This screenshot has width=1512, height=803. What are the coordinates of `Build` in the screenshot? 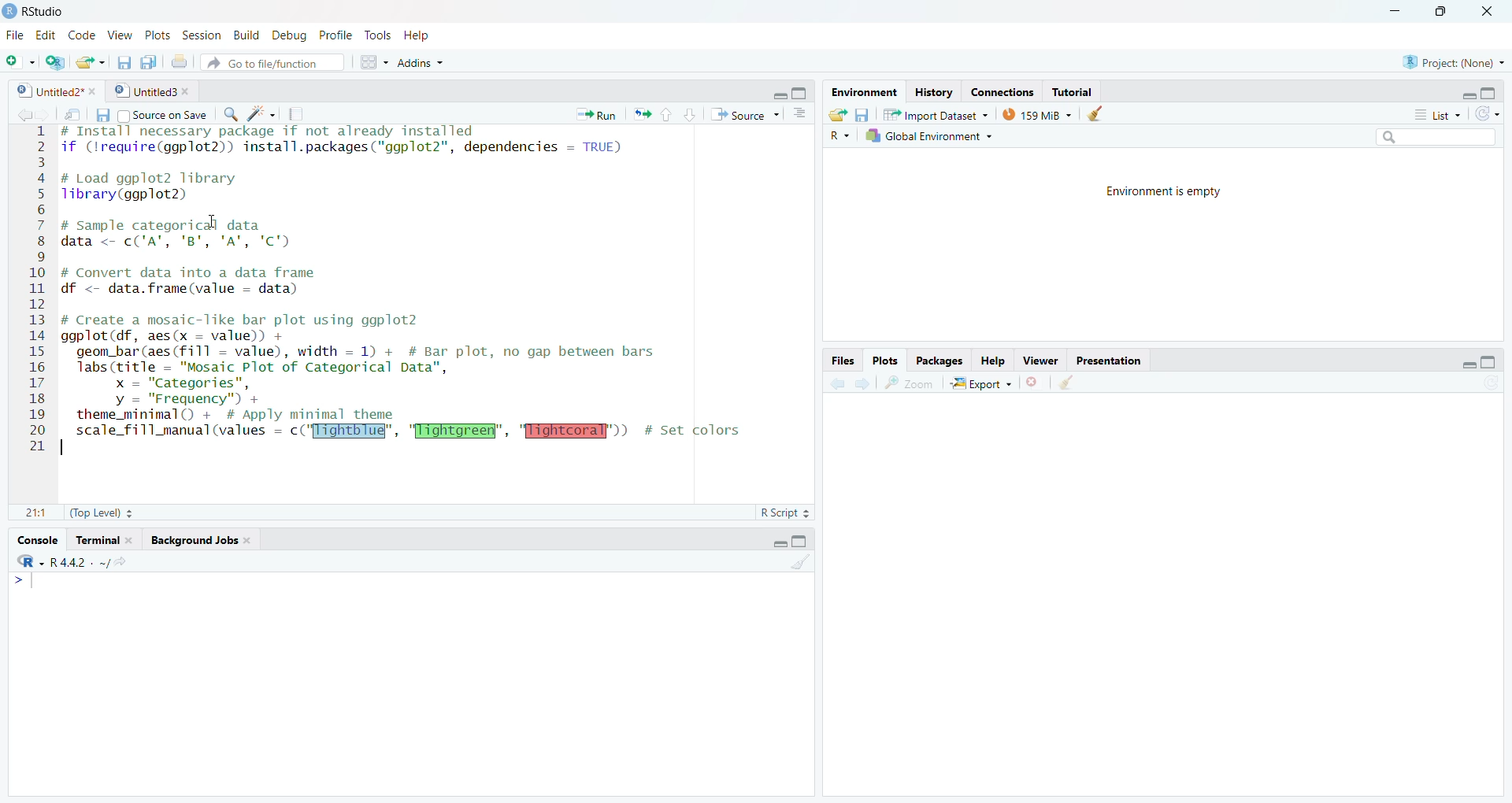 It's located at (246, 37).